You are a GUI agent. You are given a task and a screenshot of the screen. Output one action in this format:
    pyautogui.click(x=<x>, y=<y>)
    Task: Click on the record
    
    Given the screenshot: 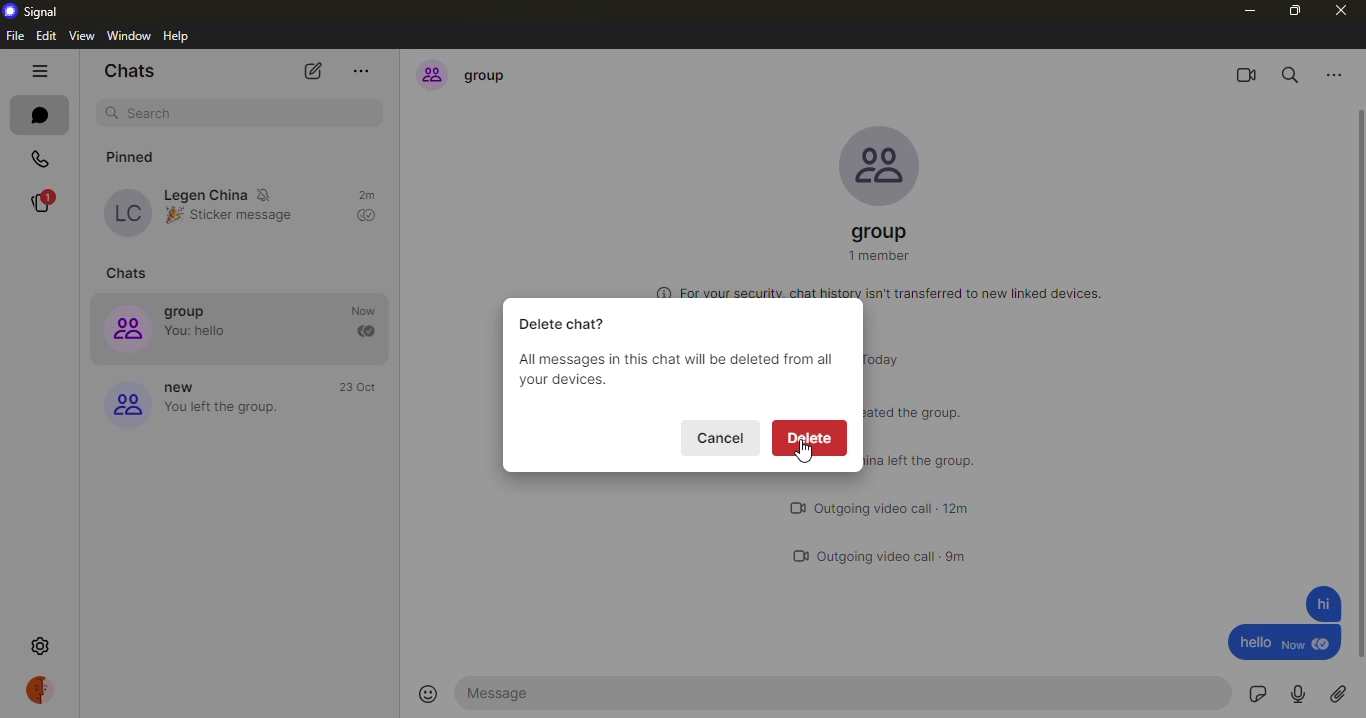 What is the action you would take?
    pyautogui.click(x=1297, y=695)
    